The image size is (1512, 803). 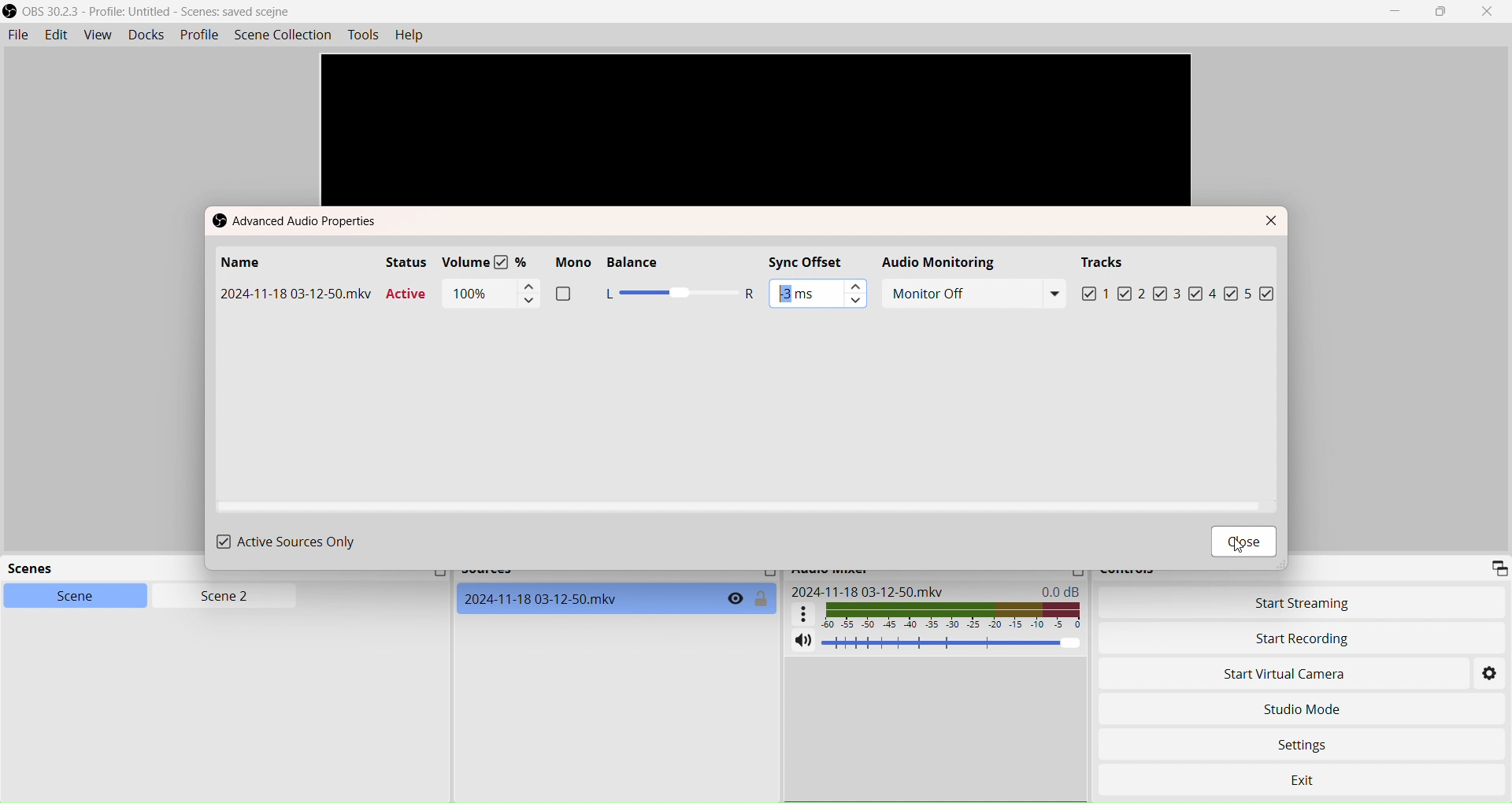 I want to click on Audio graph, so click(x=938, y=614).